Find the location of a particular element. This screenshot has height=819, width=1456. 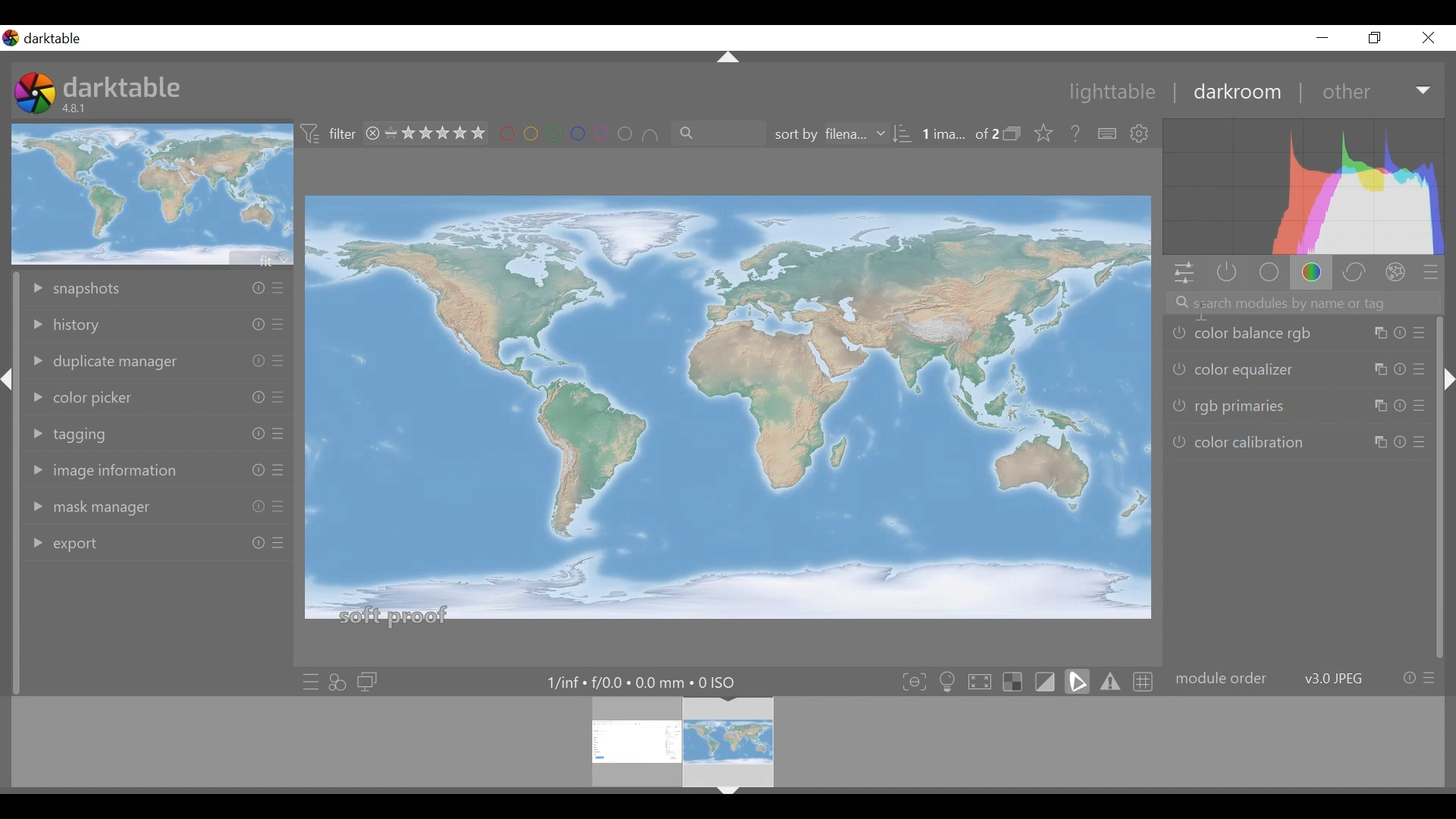

 is located at coordinates (1387, 370).